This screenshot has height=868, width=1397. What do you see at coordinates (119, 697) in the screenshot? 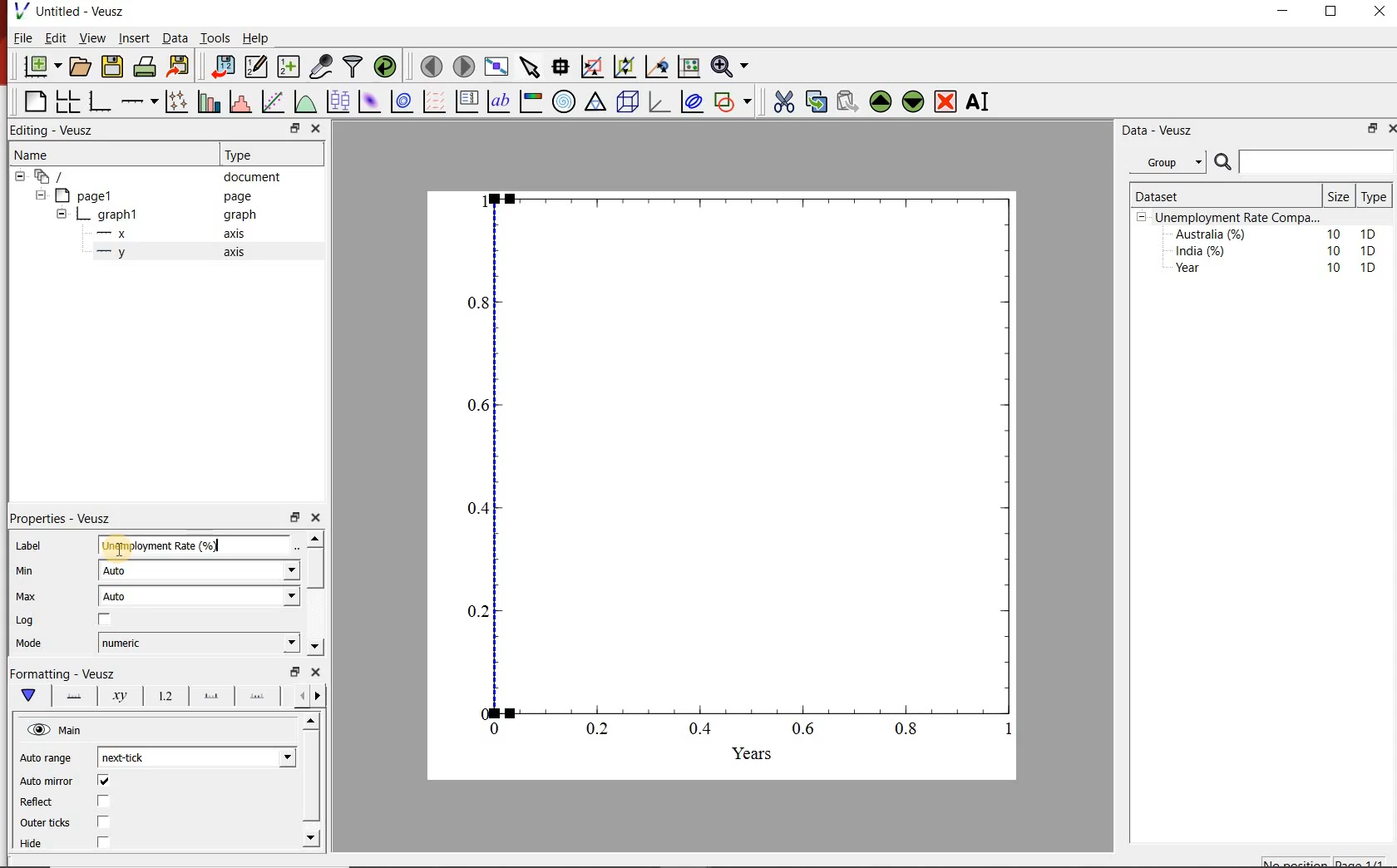
I see `axis label` at bounding box center [119, 697].